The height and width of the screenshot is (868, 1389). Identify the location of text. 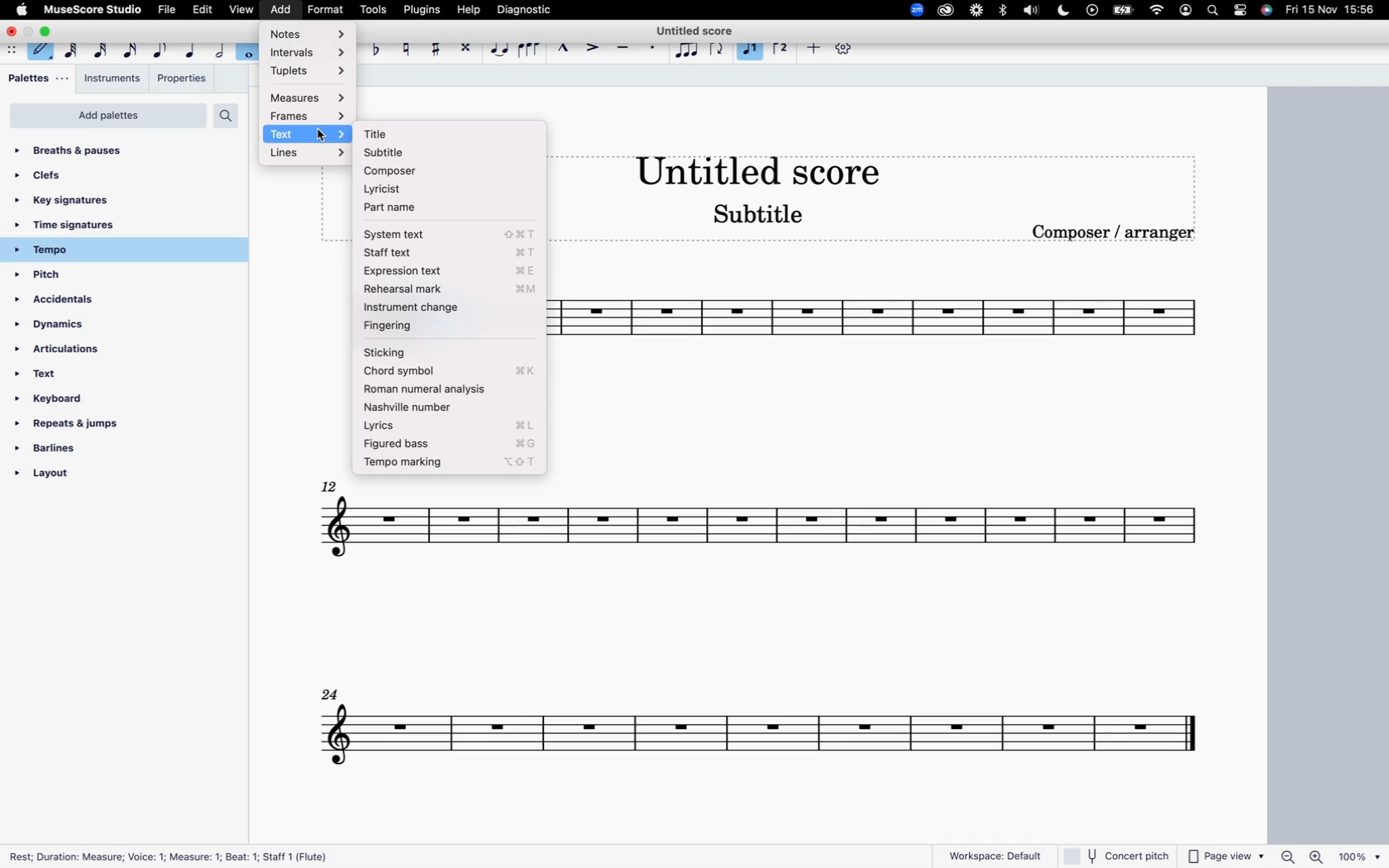
(84, 377).